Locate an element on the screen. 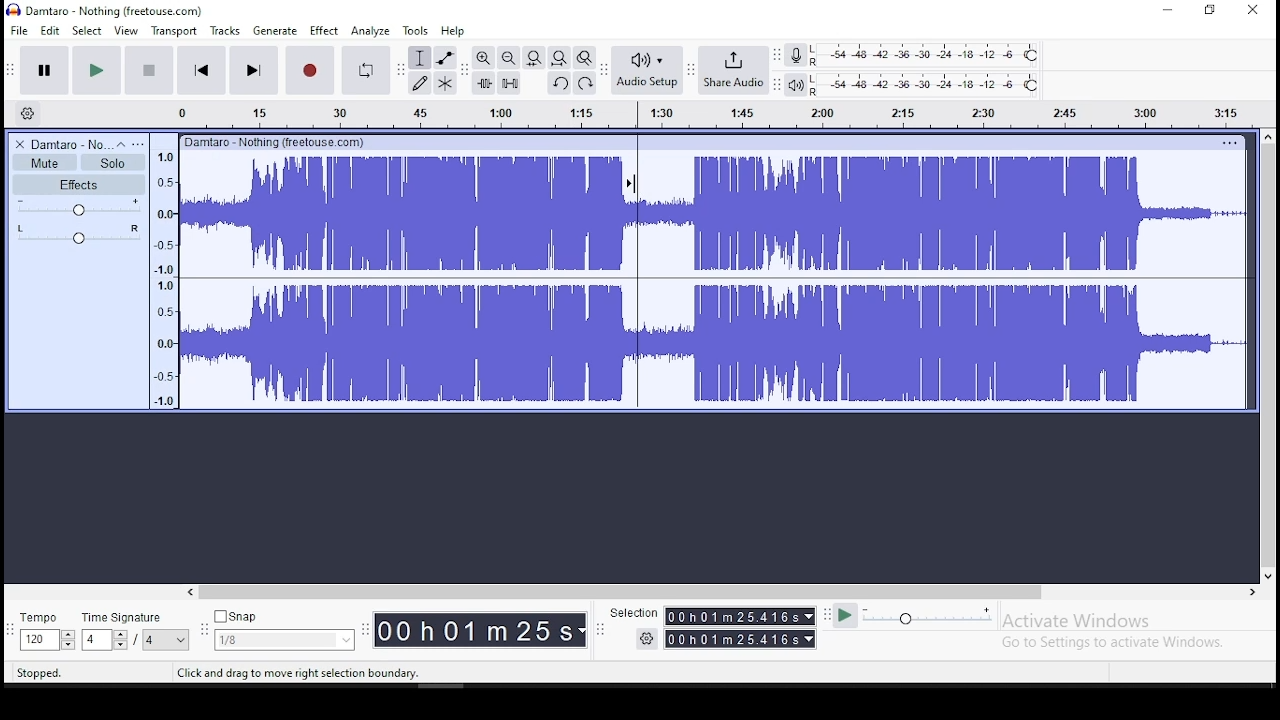 This screenshot has height=720, width=1280. scroll bar is located at coordinates (1268, 355).